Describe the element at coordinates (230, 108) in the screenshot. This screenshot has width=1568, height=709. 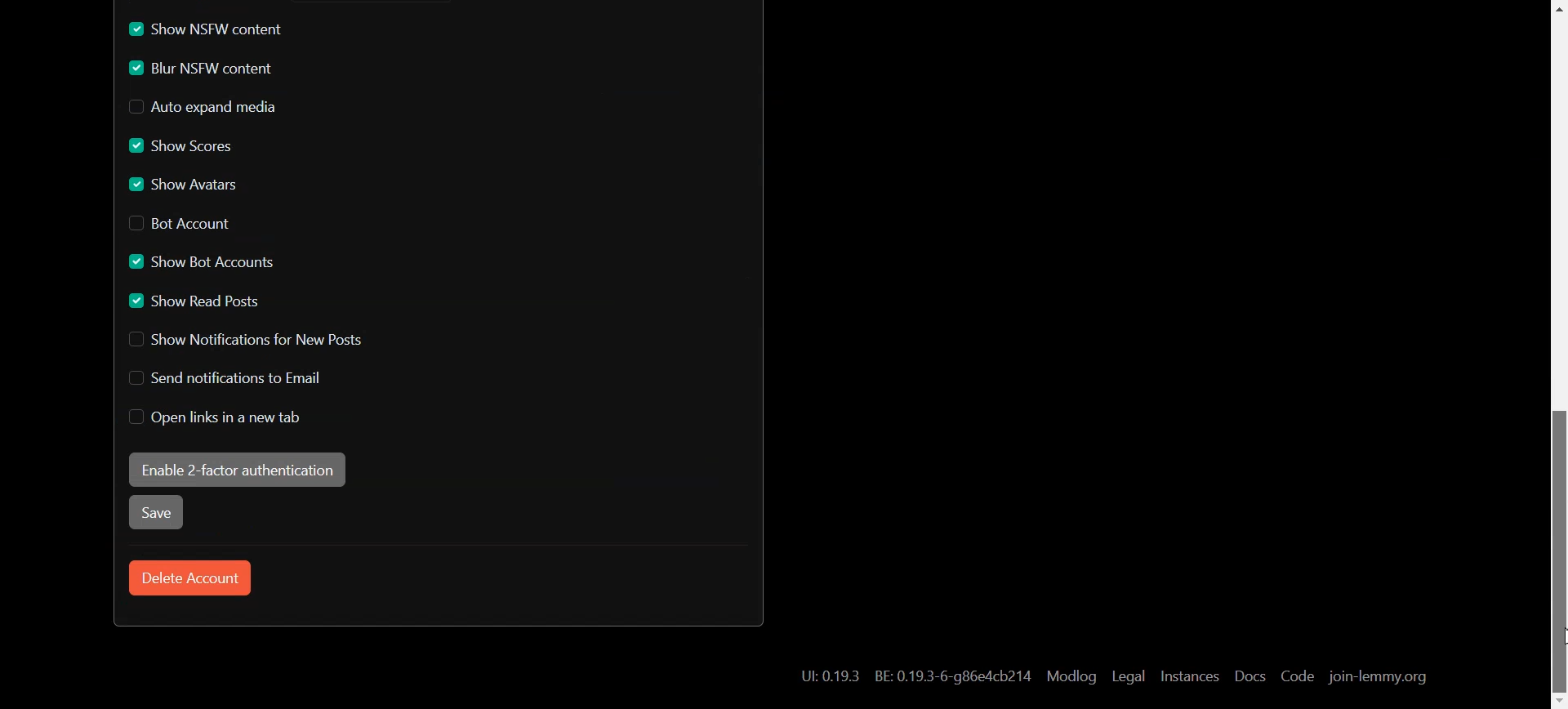
I see `Disable Auto expand media` at that location.